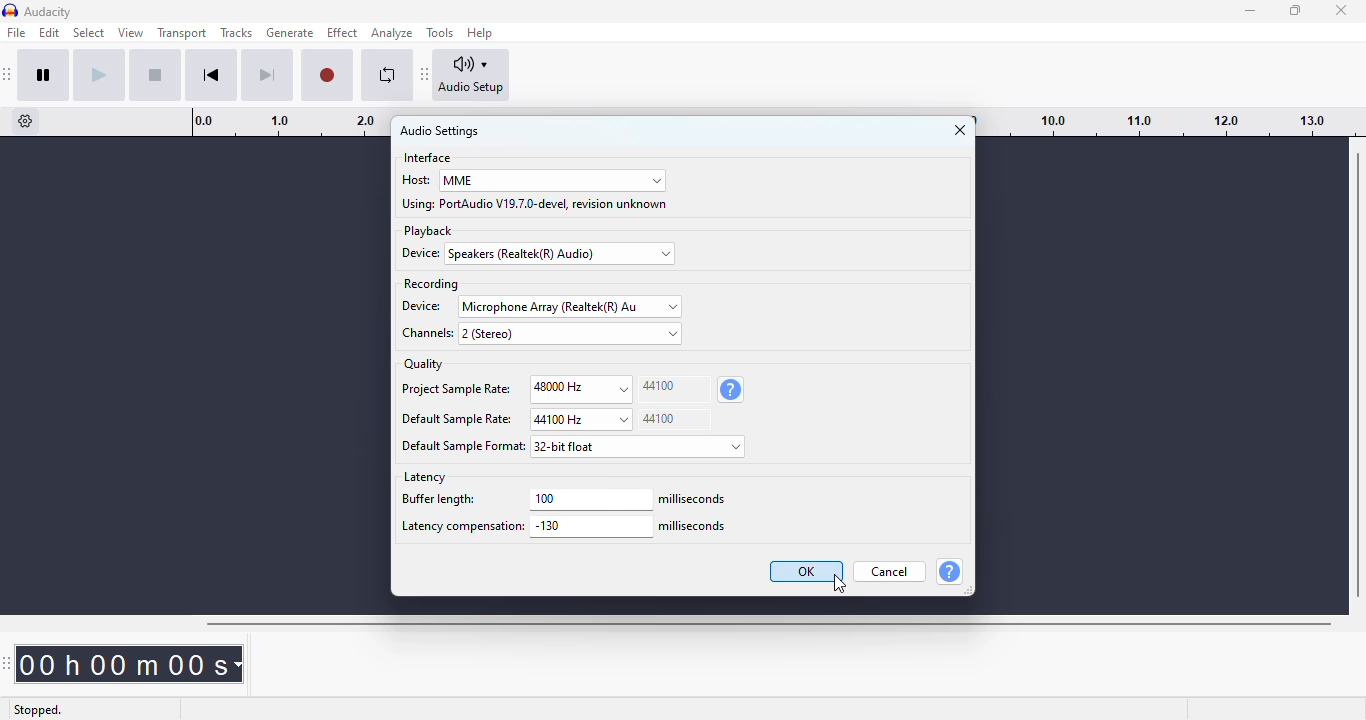  I want to click on select default sample rate, so click(580, 420).